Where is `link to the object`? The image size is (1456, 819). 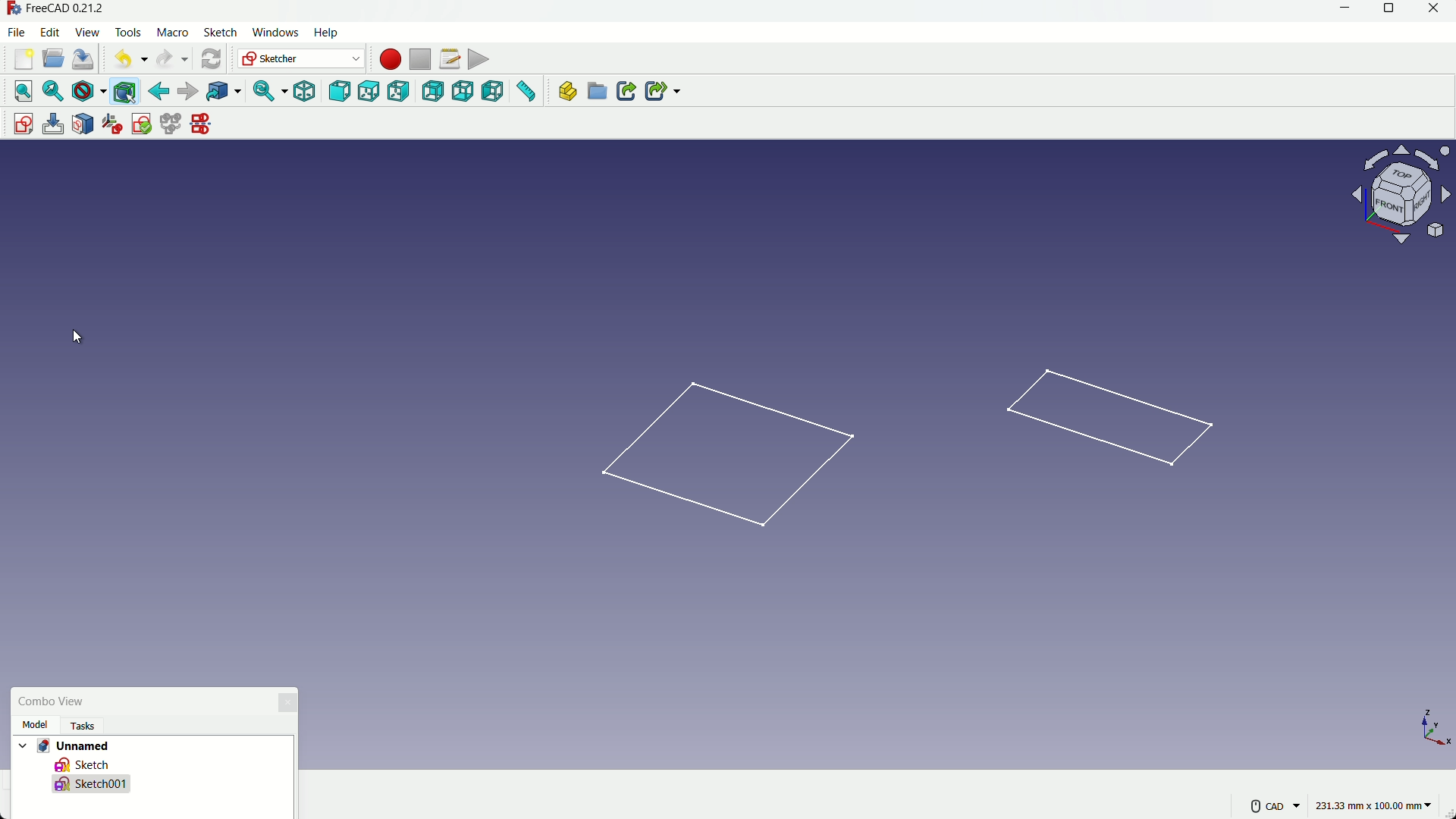
link to the object is located at coordinates (221, 93).